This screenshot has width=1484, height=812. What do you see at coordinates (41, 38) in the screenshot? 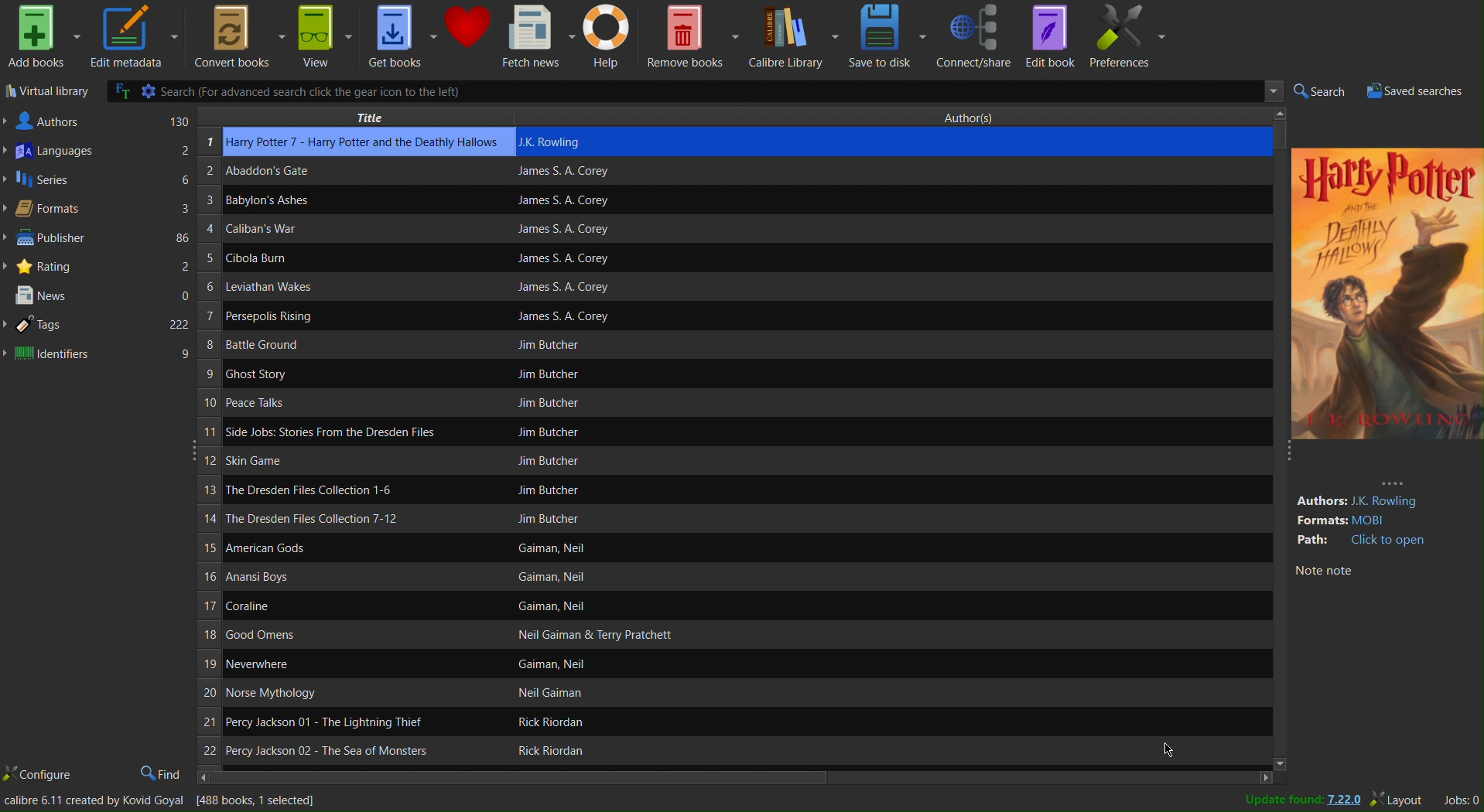
I see `Add books` at bounding box center [41, 38].